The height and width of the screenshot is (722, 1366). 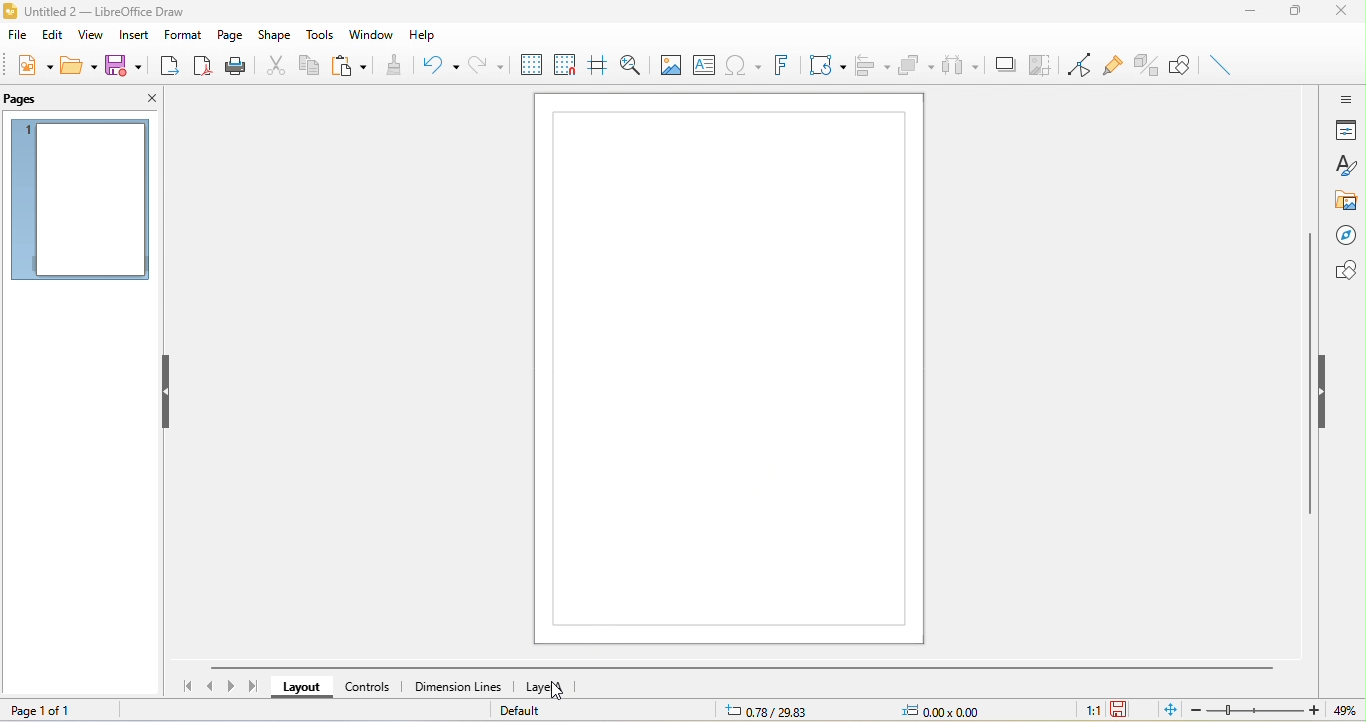 What do you see at coordinates (915, 65) in the screenshot?
I see `arrange` at bounding box center [915, 65].